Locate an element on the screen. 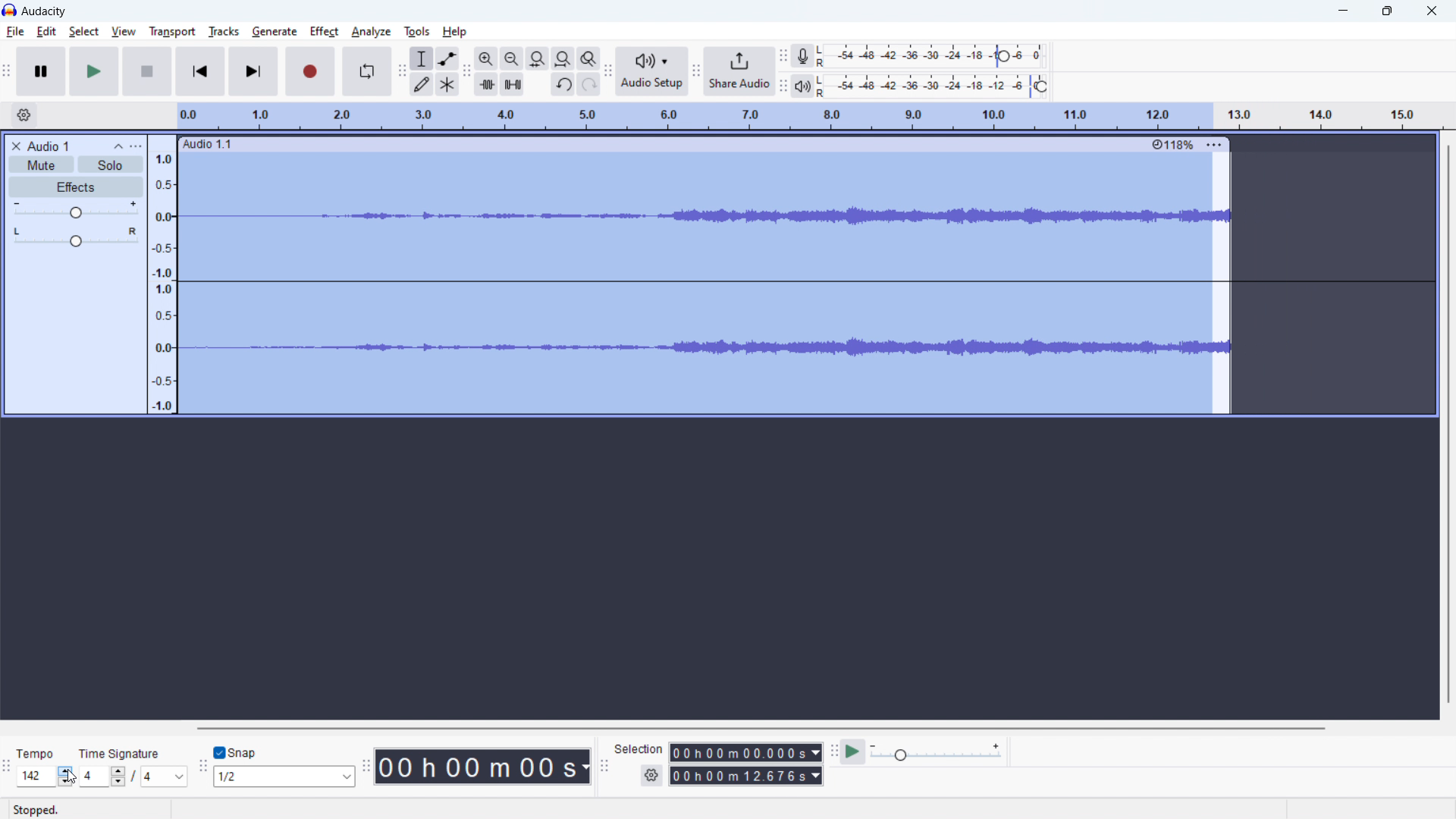 This screenshot has width=1456, height=819. record level is located at coordinates (950, 85).